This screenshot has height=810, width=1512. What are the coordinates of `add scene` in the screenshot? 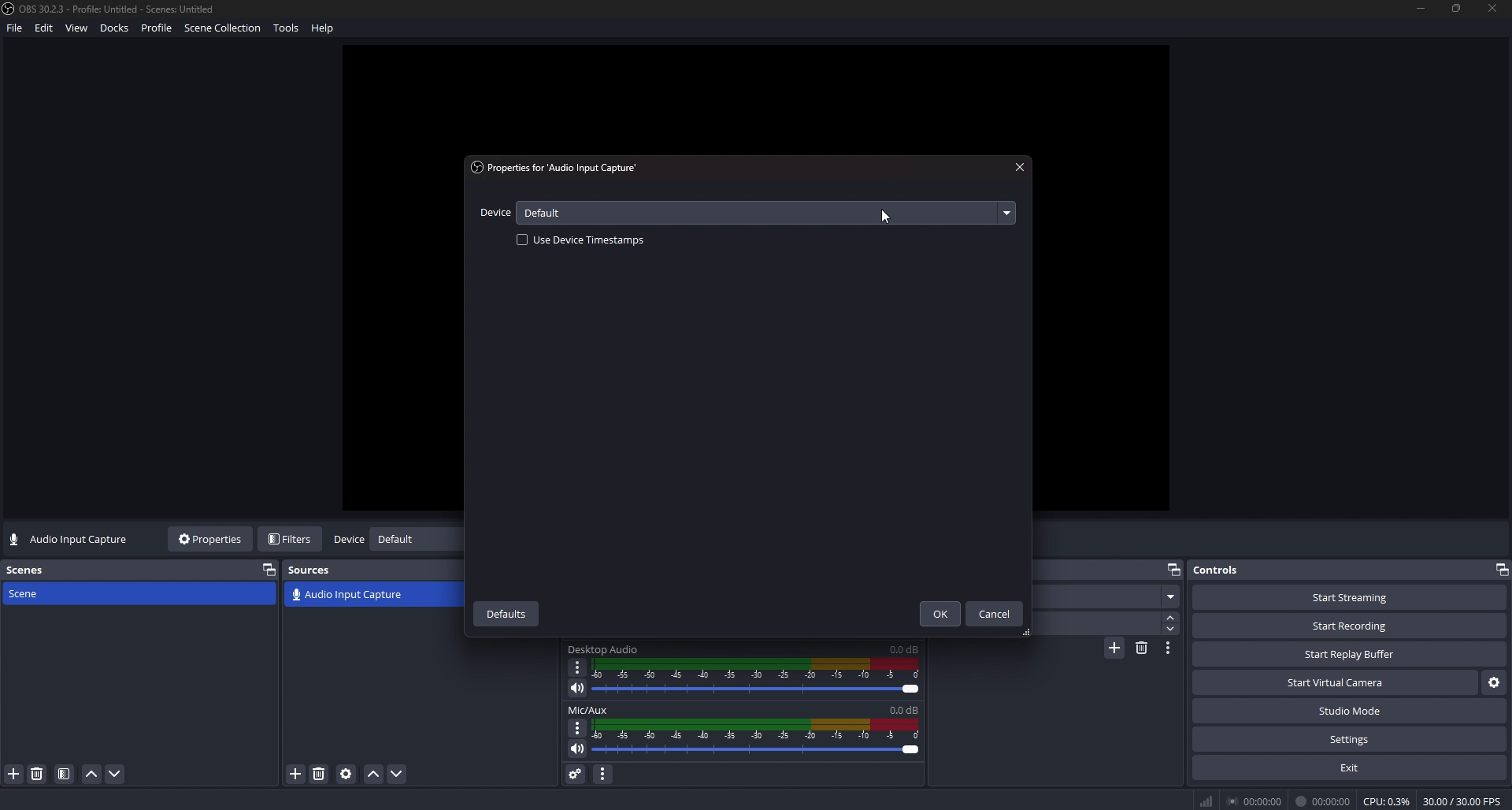 It's located at (14, 774).